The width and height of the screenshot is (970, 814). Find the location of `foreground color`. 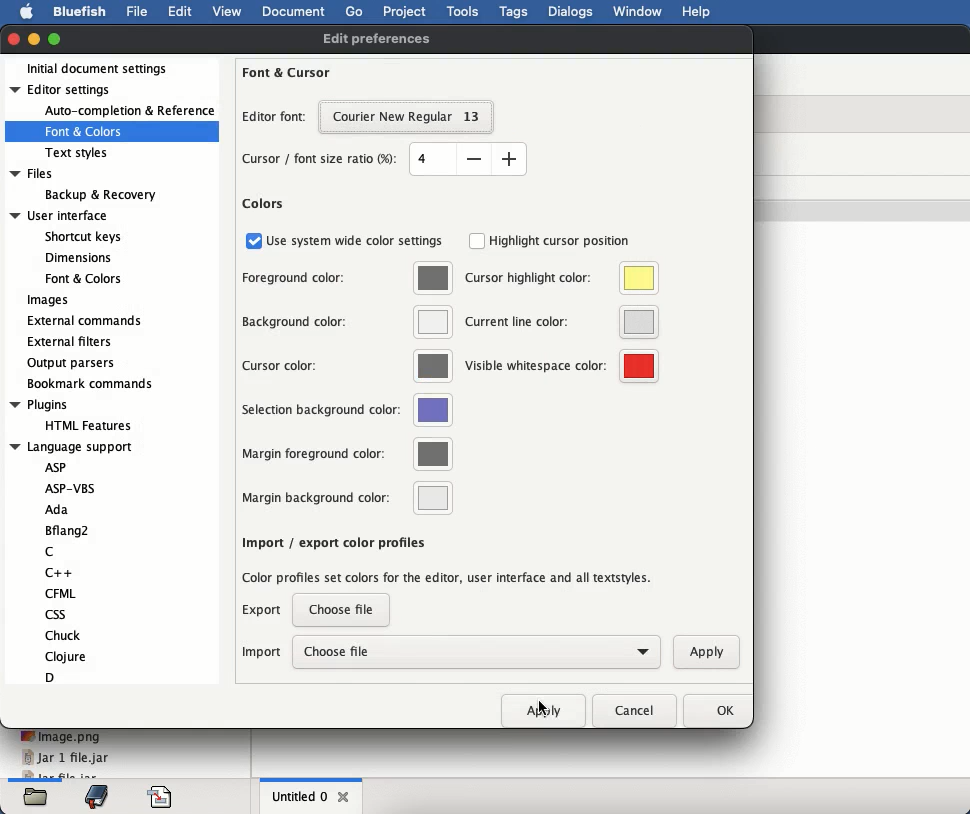

foreground color is located at coordinates (347, 279).